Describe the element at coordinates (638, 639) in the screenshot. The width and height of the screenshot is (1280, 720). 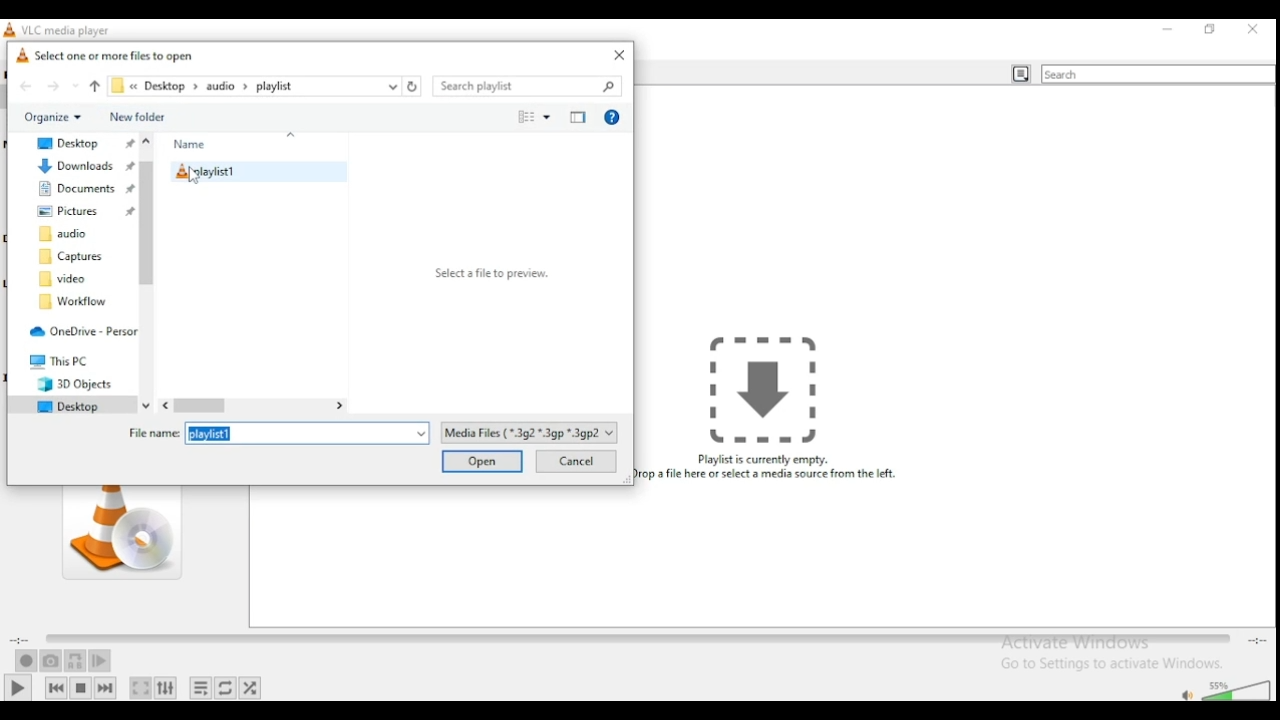
I see `seek bar` at that location.